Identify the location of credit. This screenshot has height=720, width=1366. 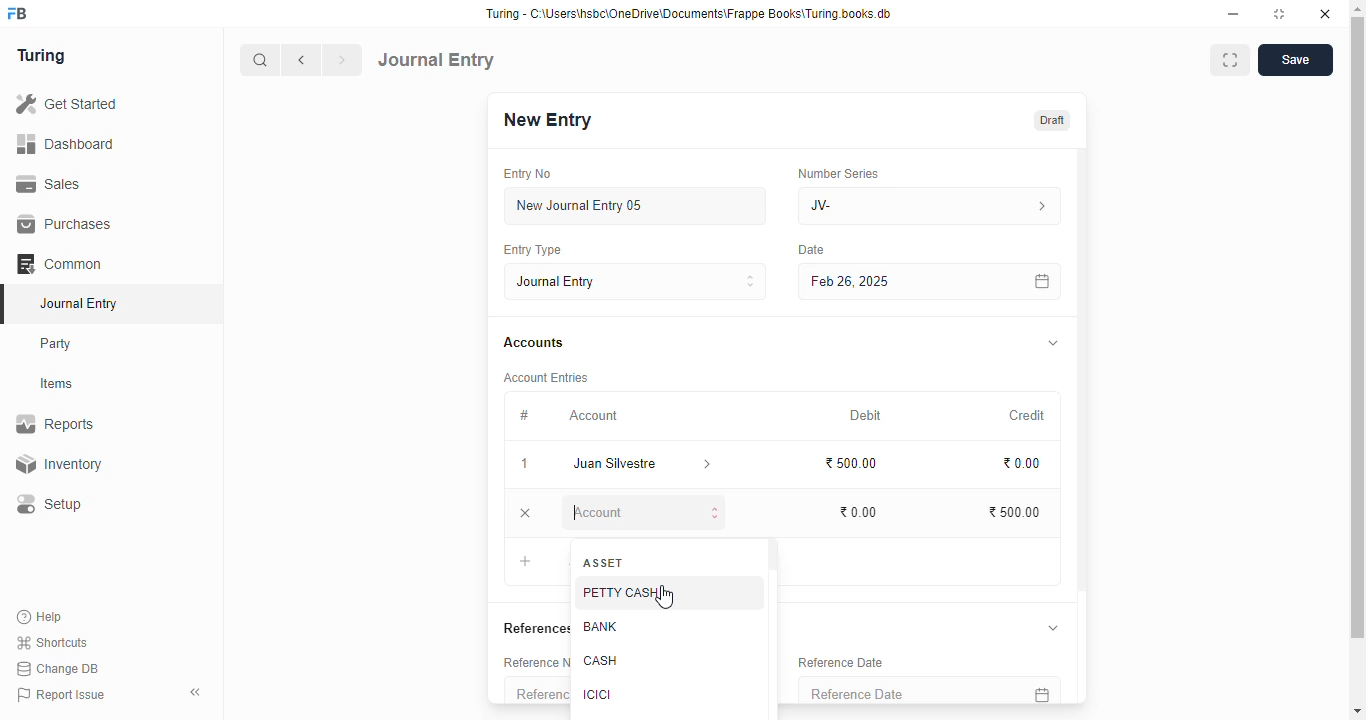
(1027, 414).